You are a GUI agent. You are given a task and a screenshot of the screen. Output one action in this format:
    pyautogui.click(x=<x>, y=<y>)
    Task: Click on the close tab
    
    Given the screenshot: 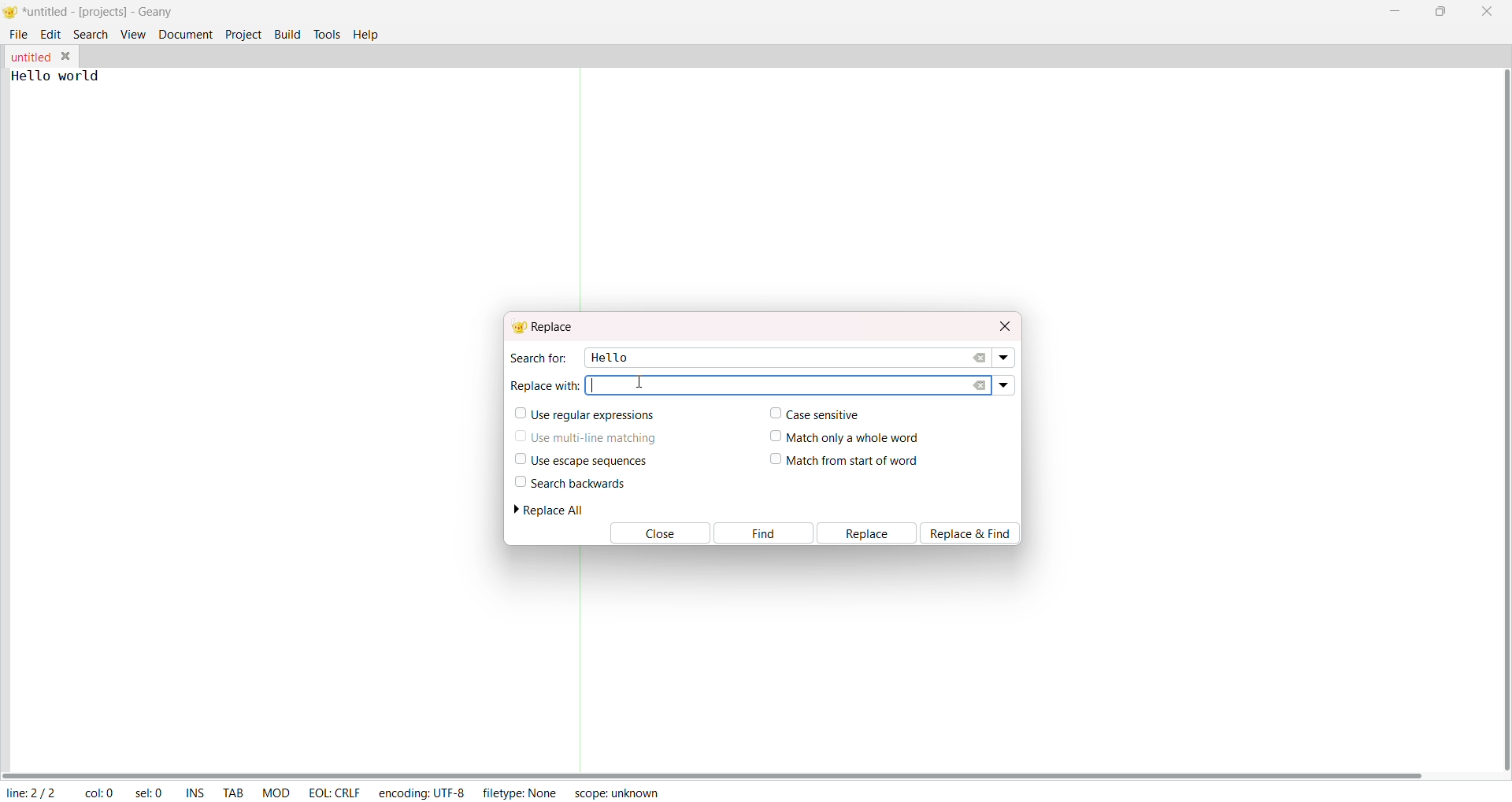 What is the action you would take?
    pyautogui.click(x=69, y=56)
    